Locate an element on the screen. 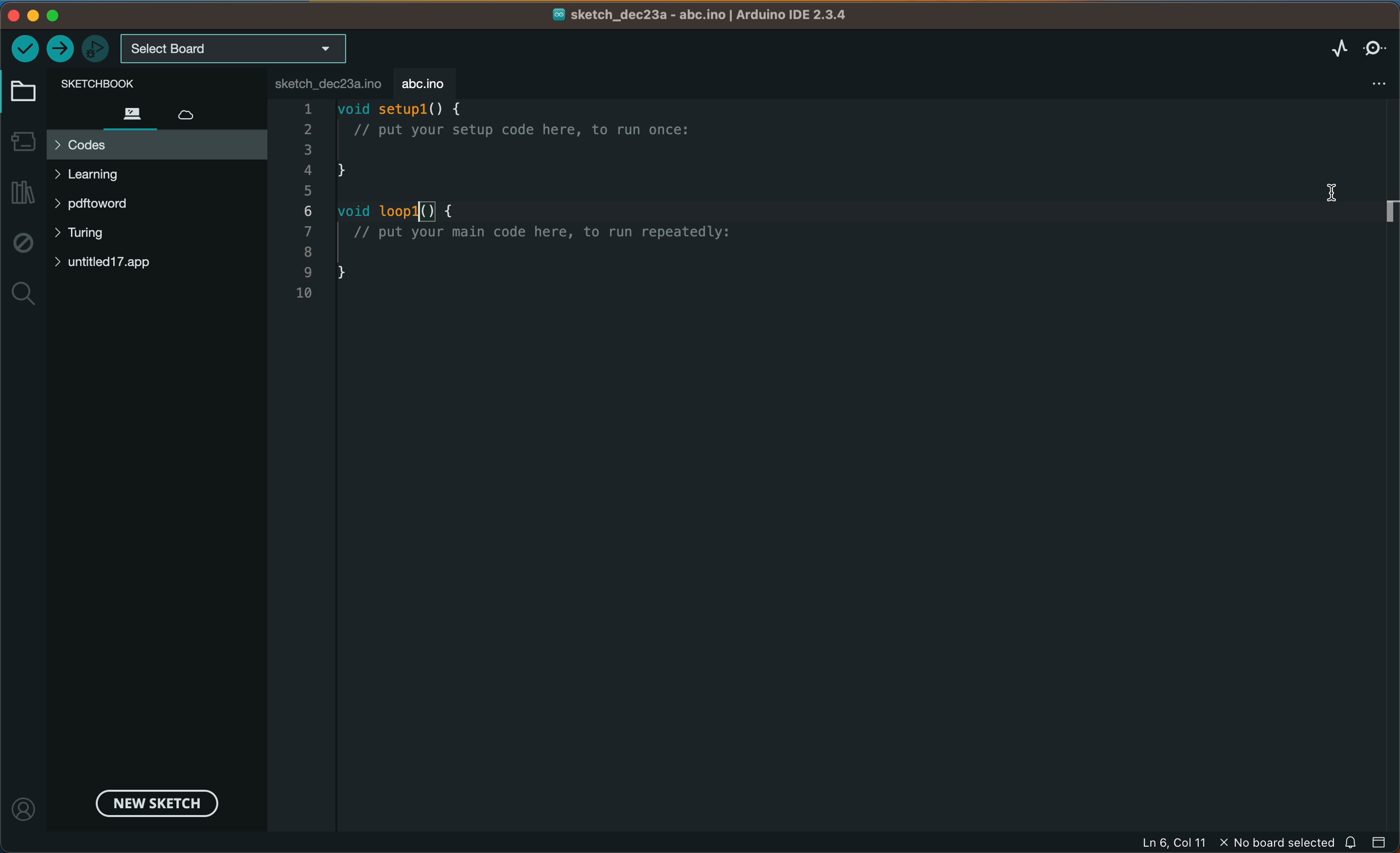 Image resolution: width=1400 pixels, height=853 pixels. turing is located at coordinates (89, 235).